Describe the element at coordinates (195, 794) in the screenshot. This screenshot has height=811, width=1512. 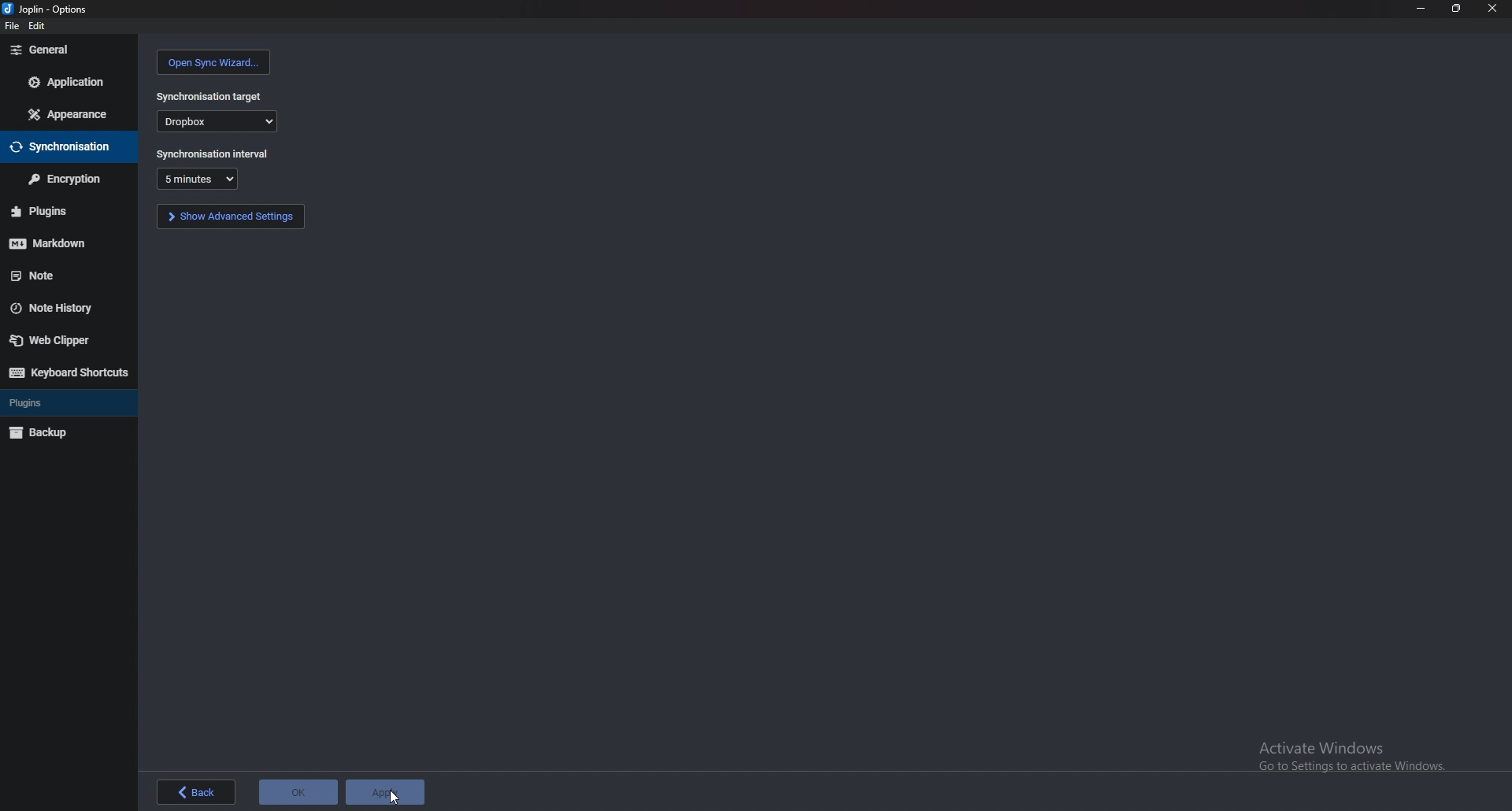
I see `back` at that location.